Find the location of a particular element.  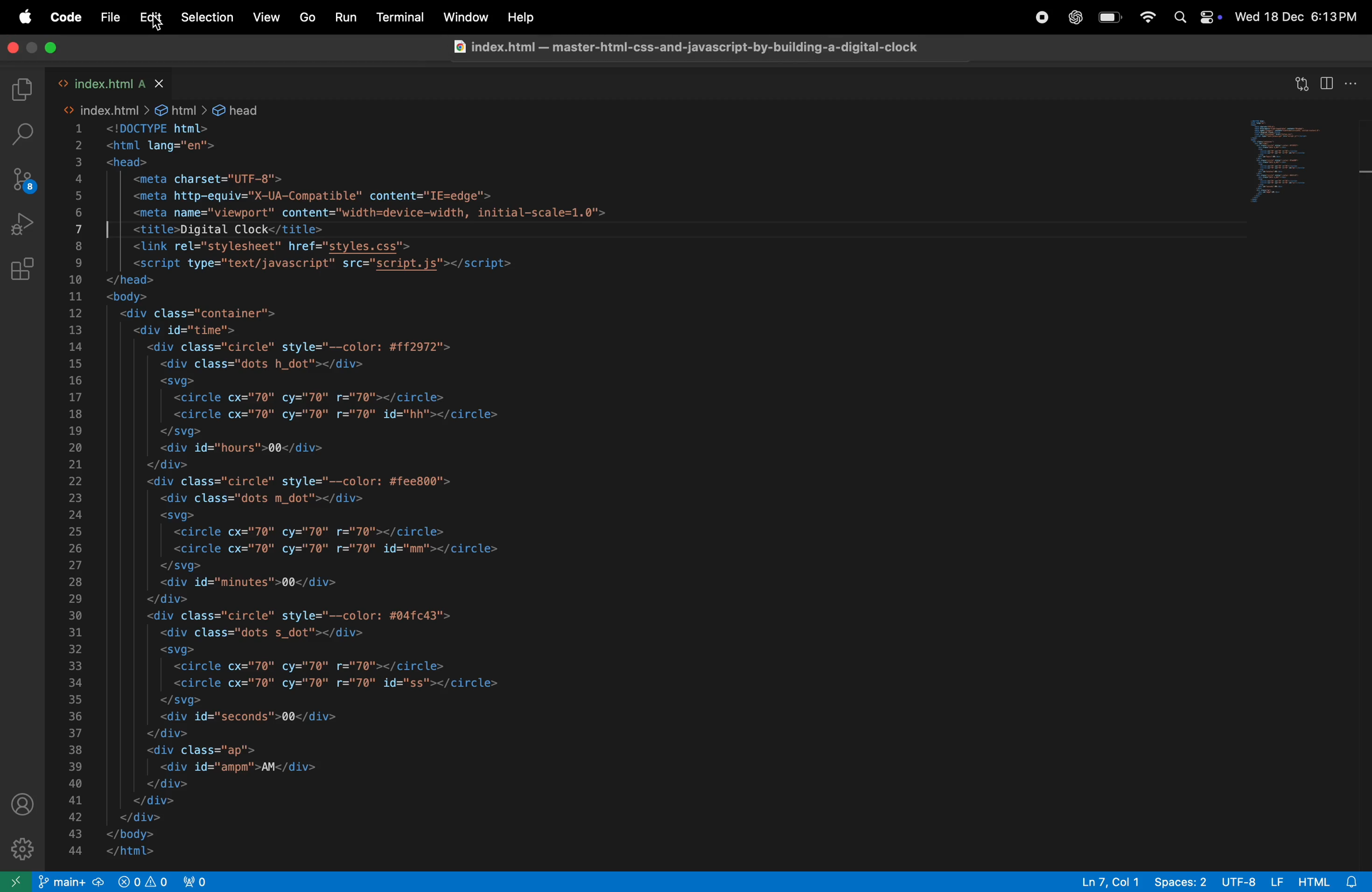

run debug is located at coordinates (24, 226).